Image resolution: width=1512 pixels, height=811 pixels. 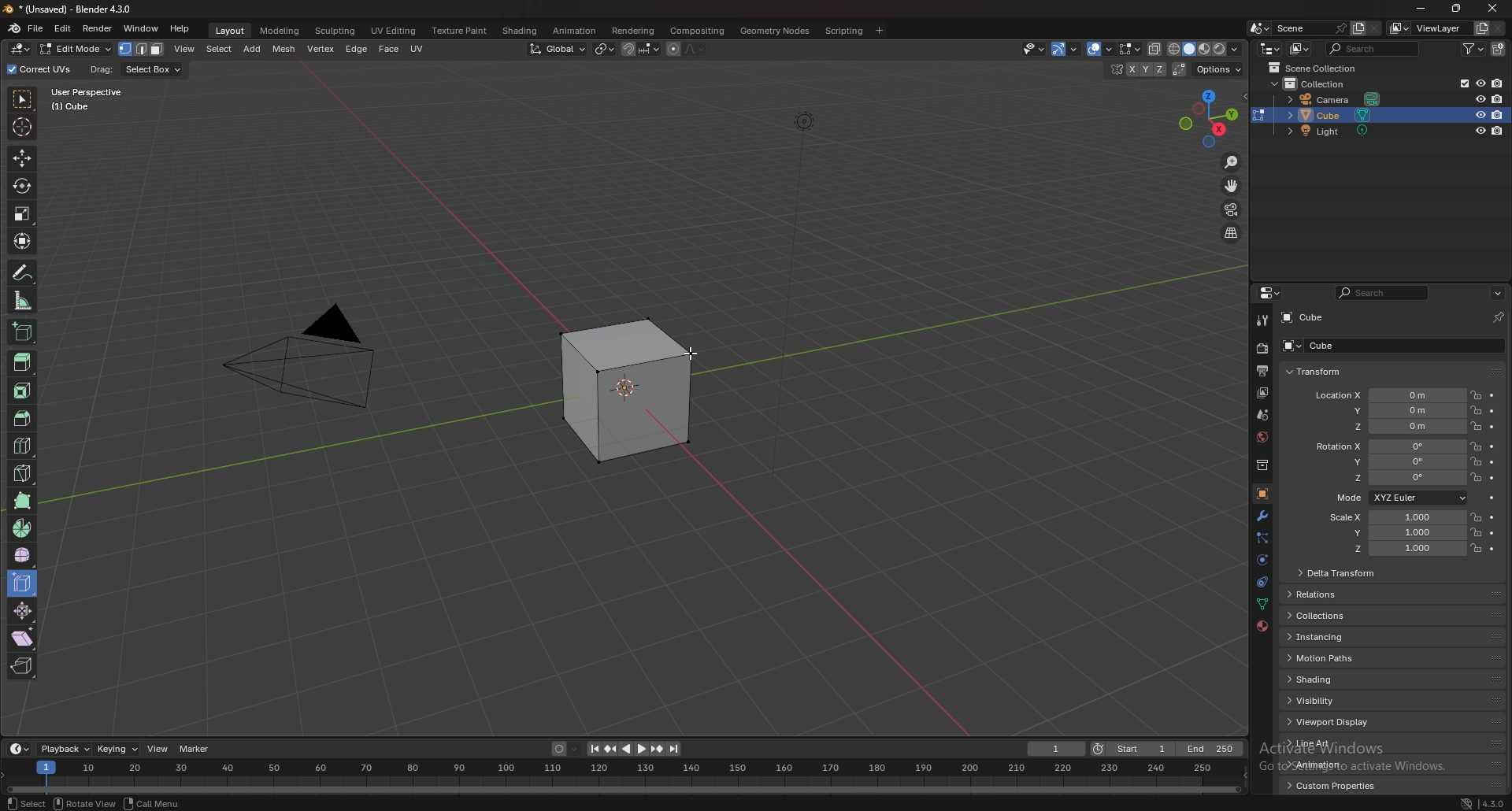 What do you see at coordinates (1300, 49) in the screenshot?
I see `display mode` at bounding box center [1300, 49].